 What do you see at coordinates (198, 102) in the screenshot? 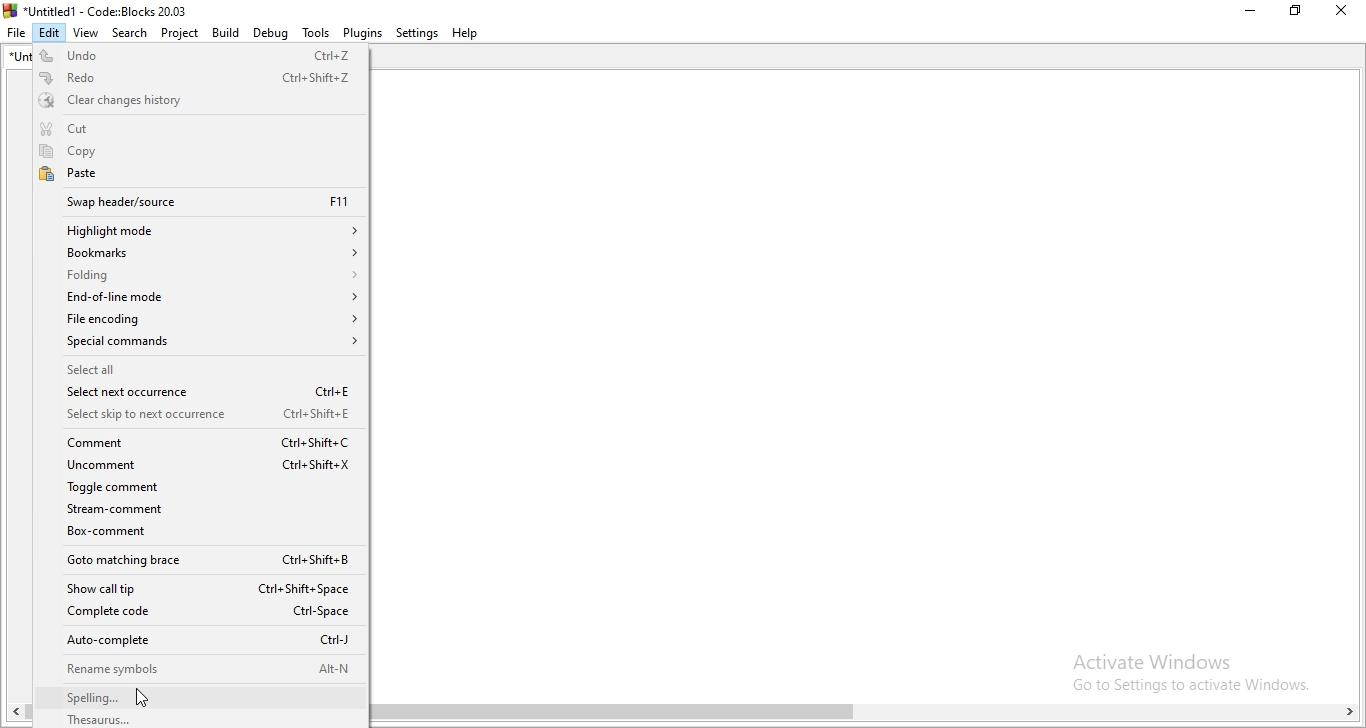
I see `Clear changes history` at bounding box center [198, 102].